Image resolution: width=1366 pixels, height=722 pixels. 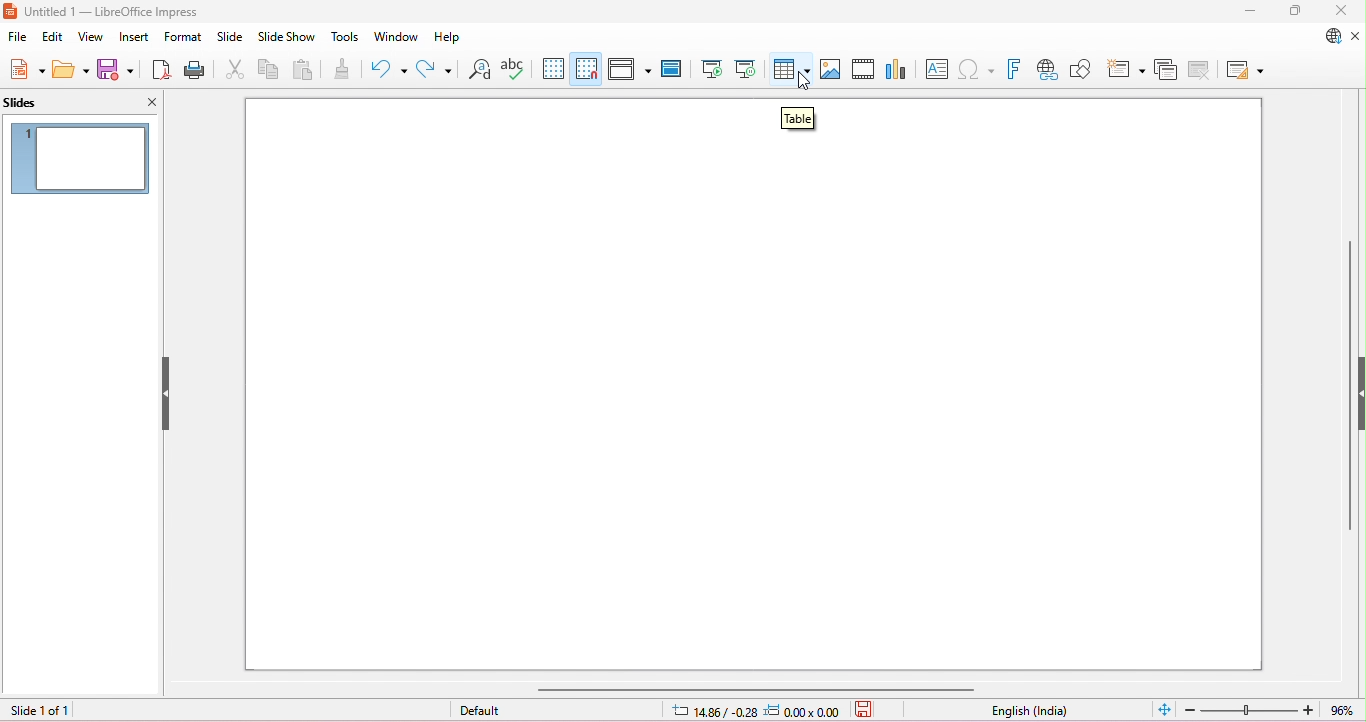 I want to click on cursor, so click(x=804, y=83).